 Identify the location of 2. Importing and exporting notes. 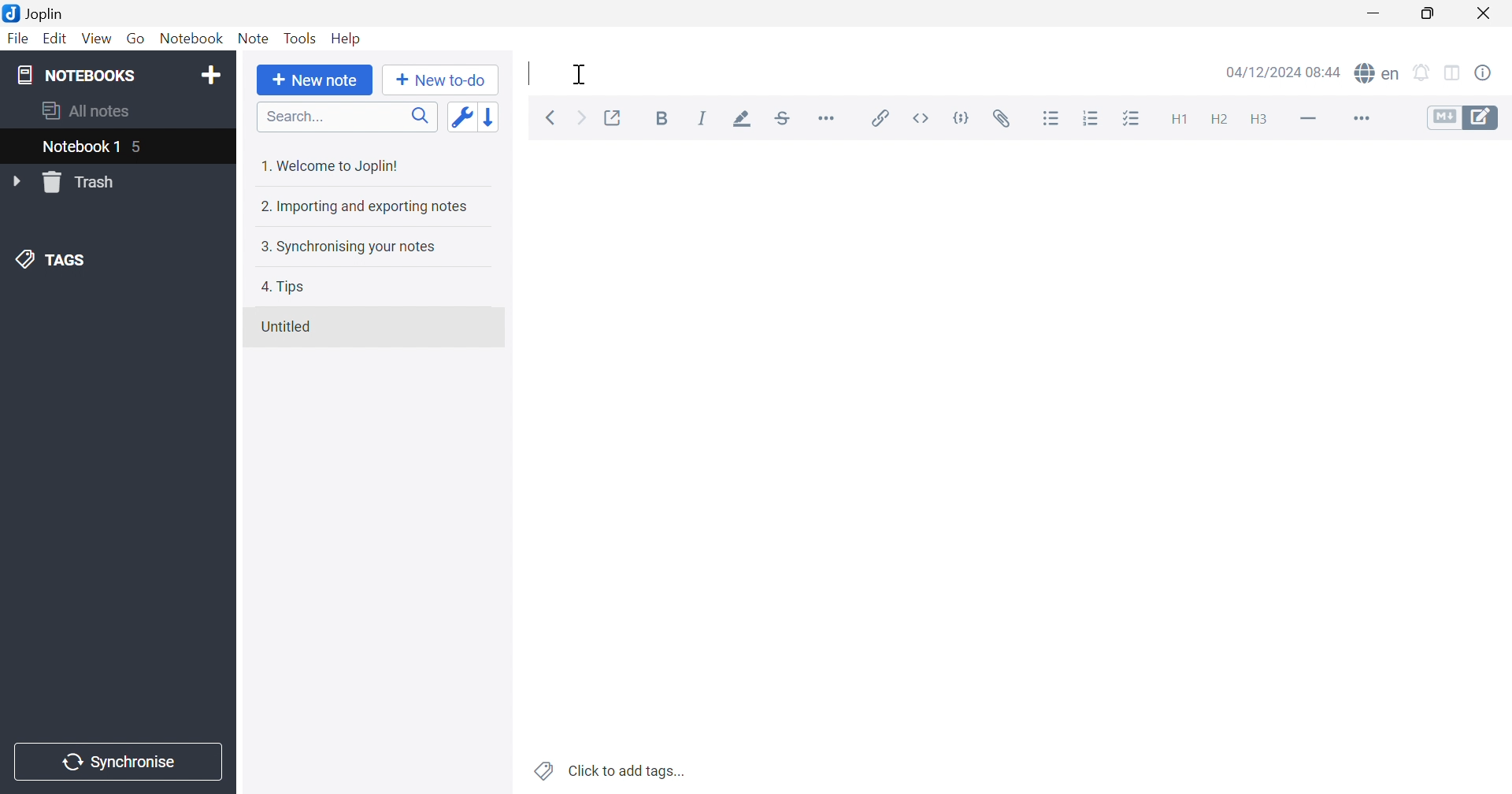
(361, 208).